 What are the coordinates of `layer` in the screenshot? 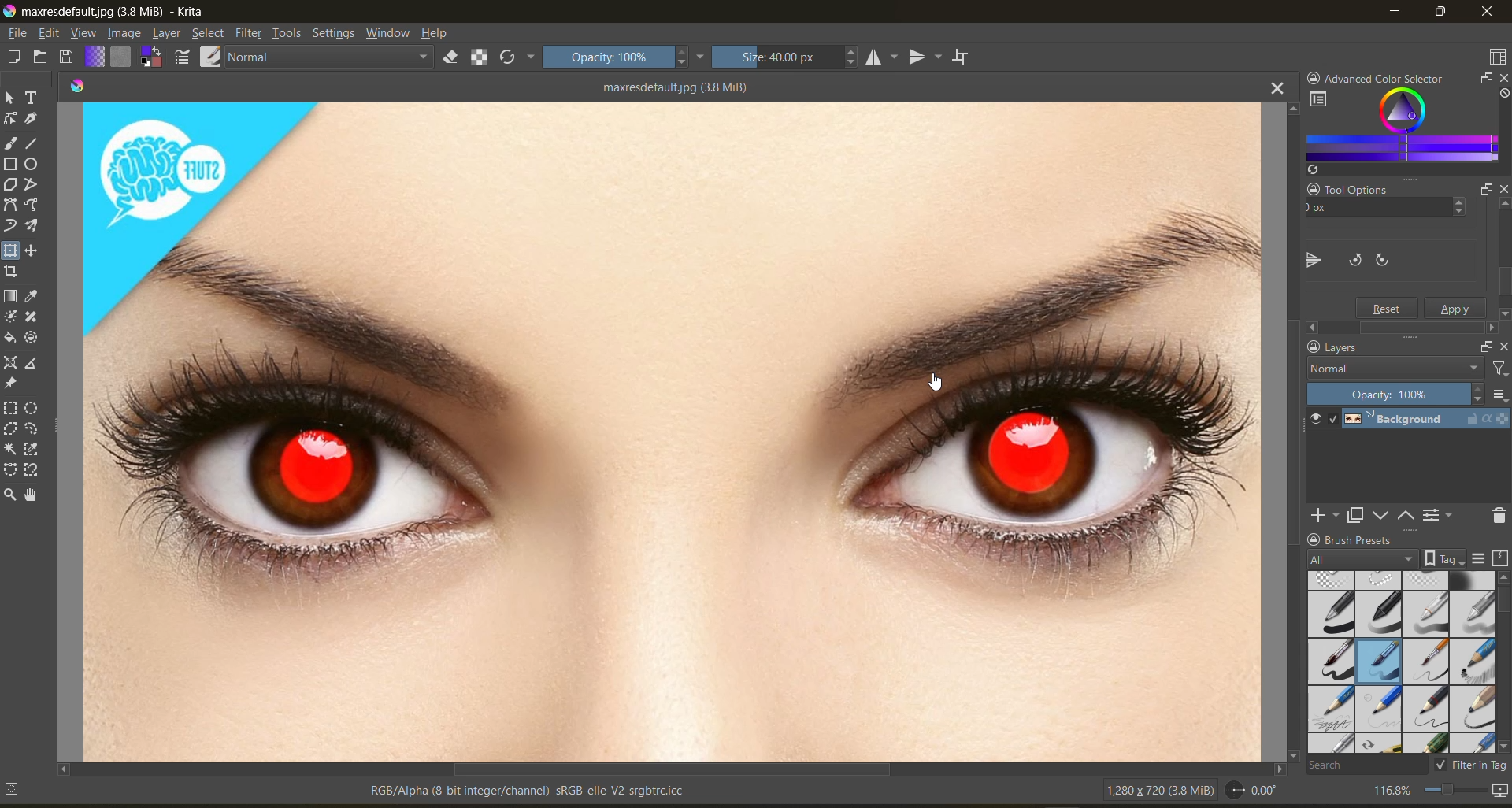 It's located at (1424, 422).